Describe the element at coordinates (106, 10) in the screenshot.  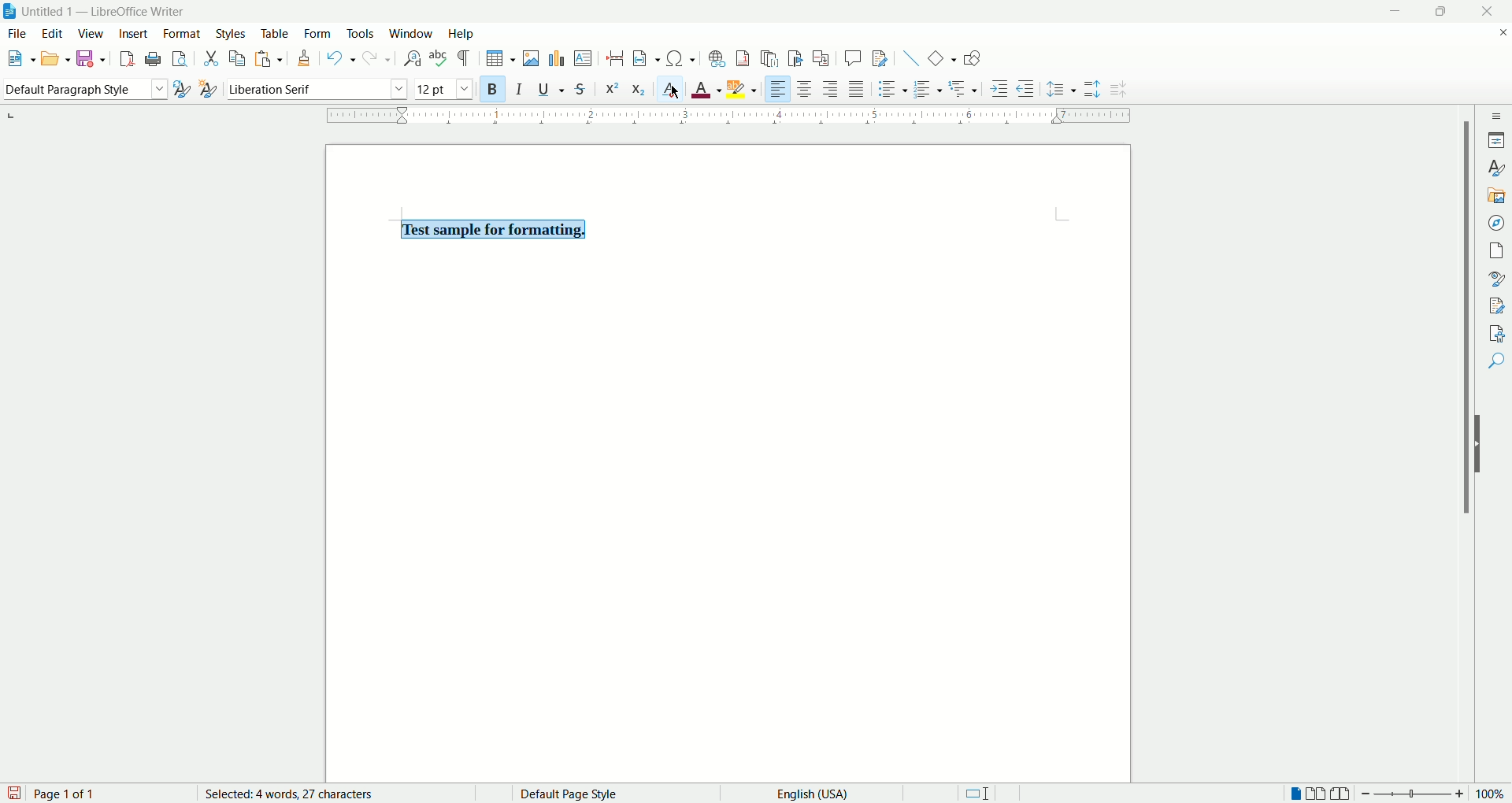
I see `Untitled1 - LibreOffice Writer` at that location.